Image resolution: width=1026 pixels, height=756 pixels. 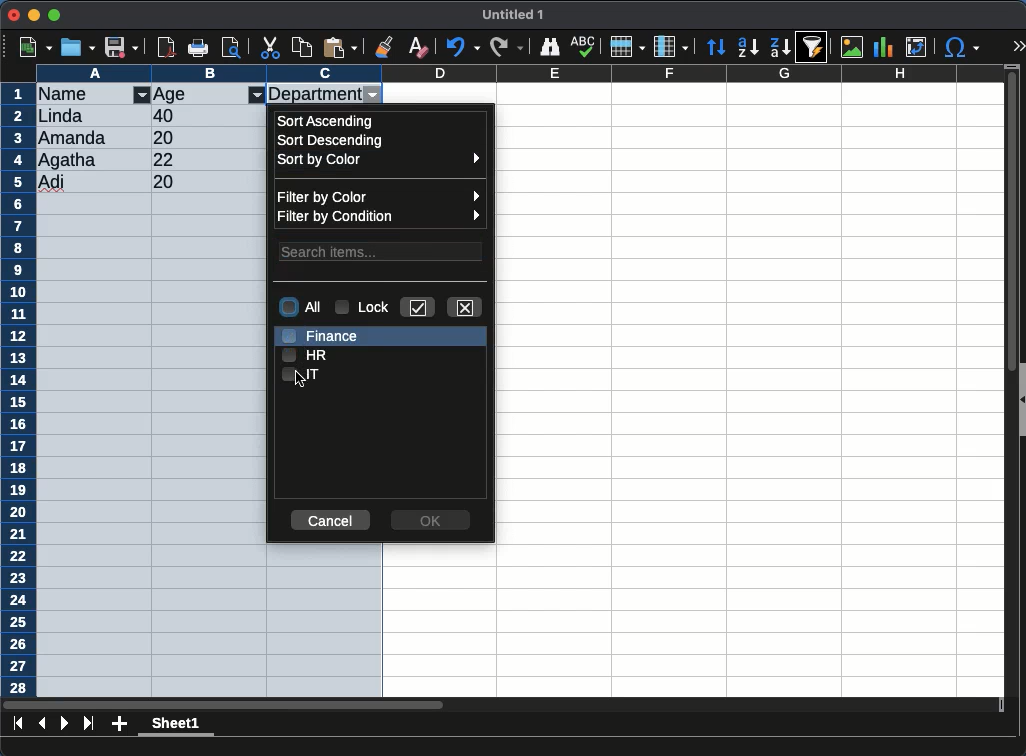 I want to click on spell check, so click(x=584, y=44).